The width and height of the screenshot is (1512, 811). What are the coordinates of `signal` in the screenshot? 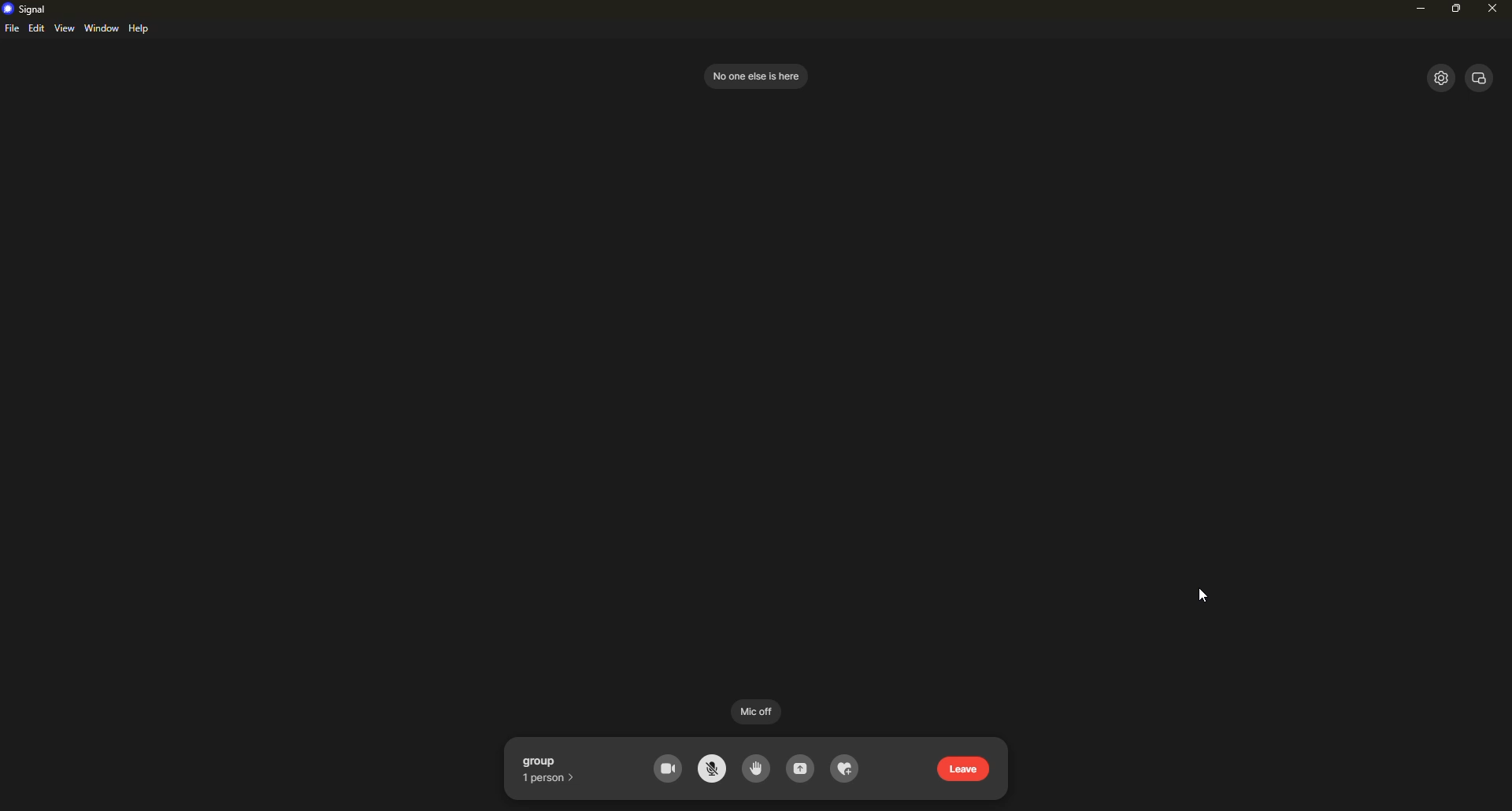 It's located at (27, 8).